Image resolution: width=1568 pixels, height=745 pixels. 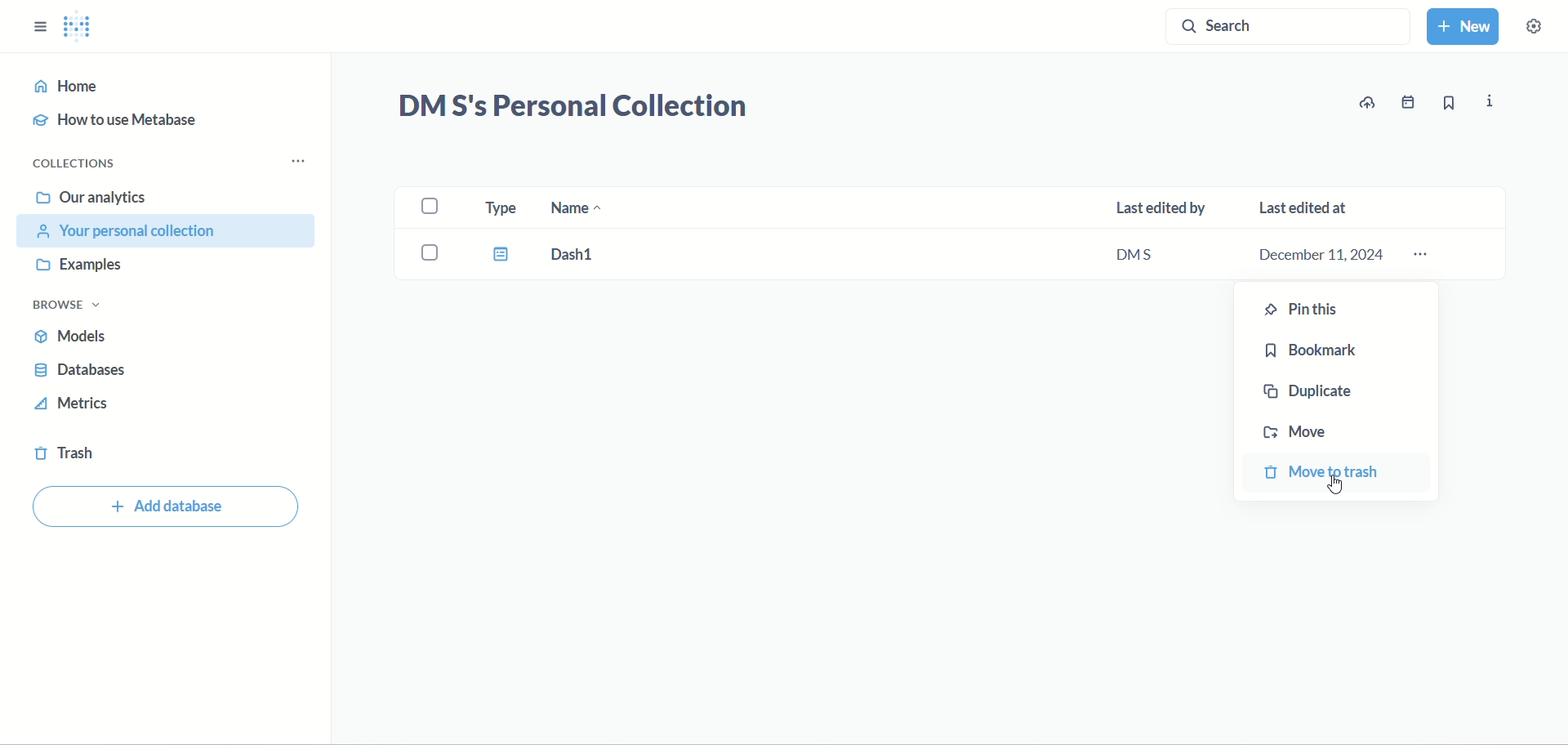 I want to click on your personal collection, so click(x=170, y=231).